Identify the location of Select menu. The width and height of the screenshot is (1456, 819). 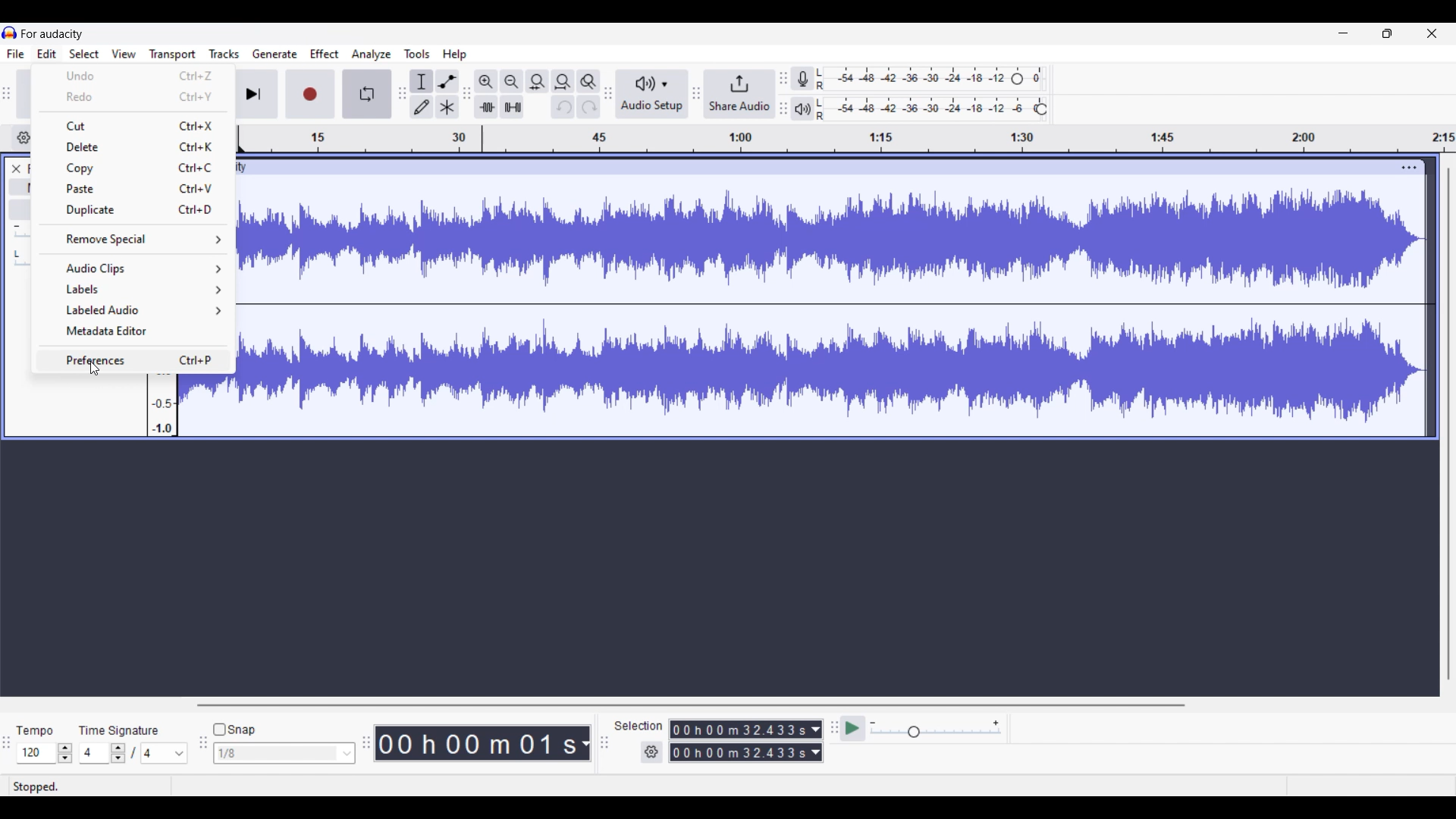
(84, 54).